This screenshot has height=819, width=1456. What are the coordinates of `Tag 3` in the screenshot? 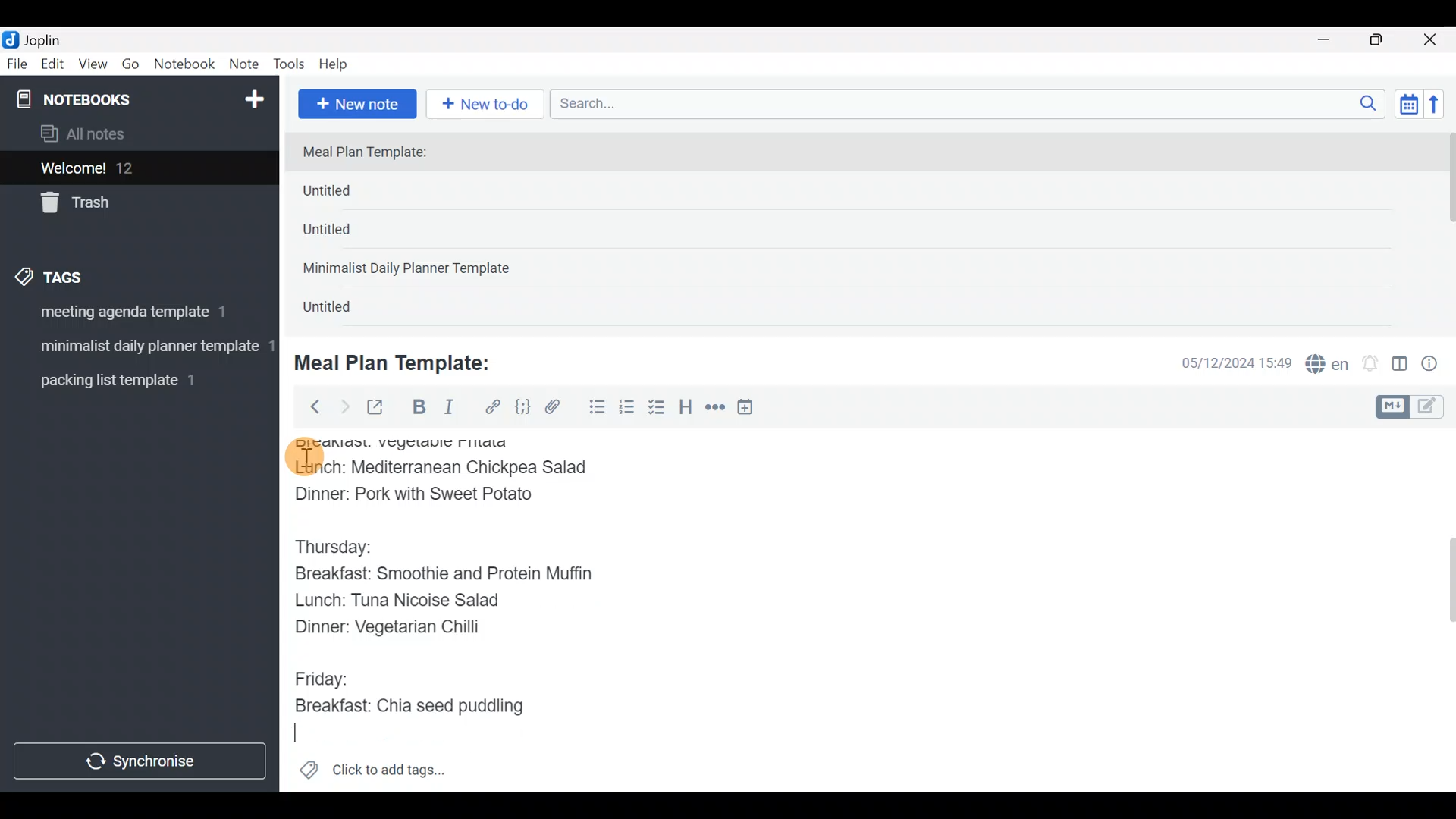 It's located at (134, 380).